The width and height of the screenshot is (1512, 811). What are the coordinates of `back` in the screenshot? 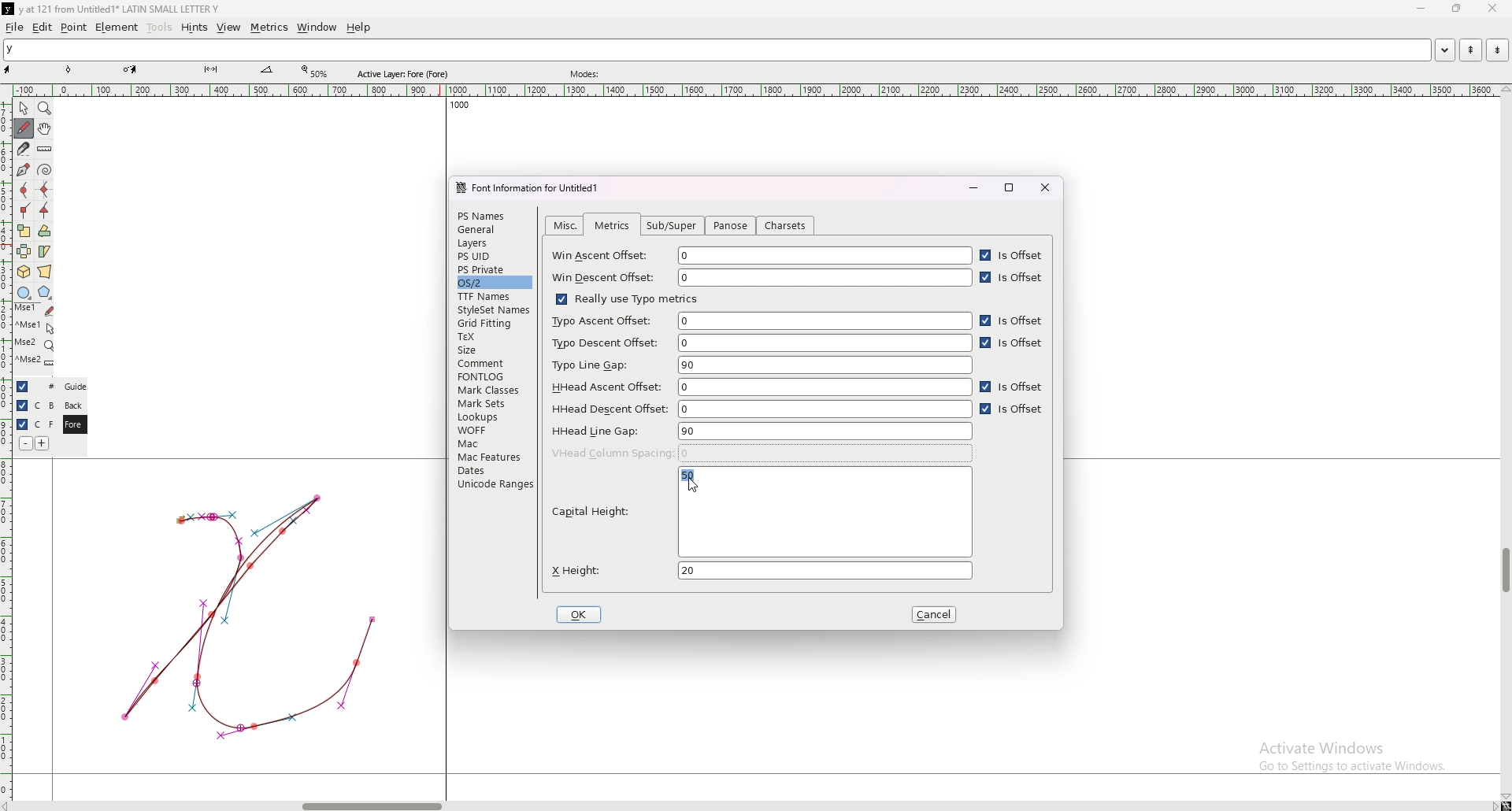 It's located at (73, 405).